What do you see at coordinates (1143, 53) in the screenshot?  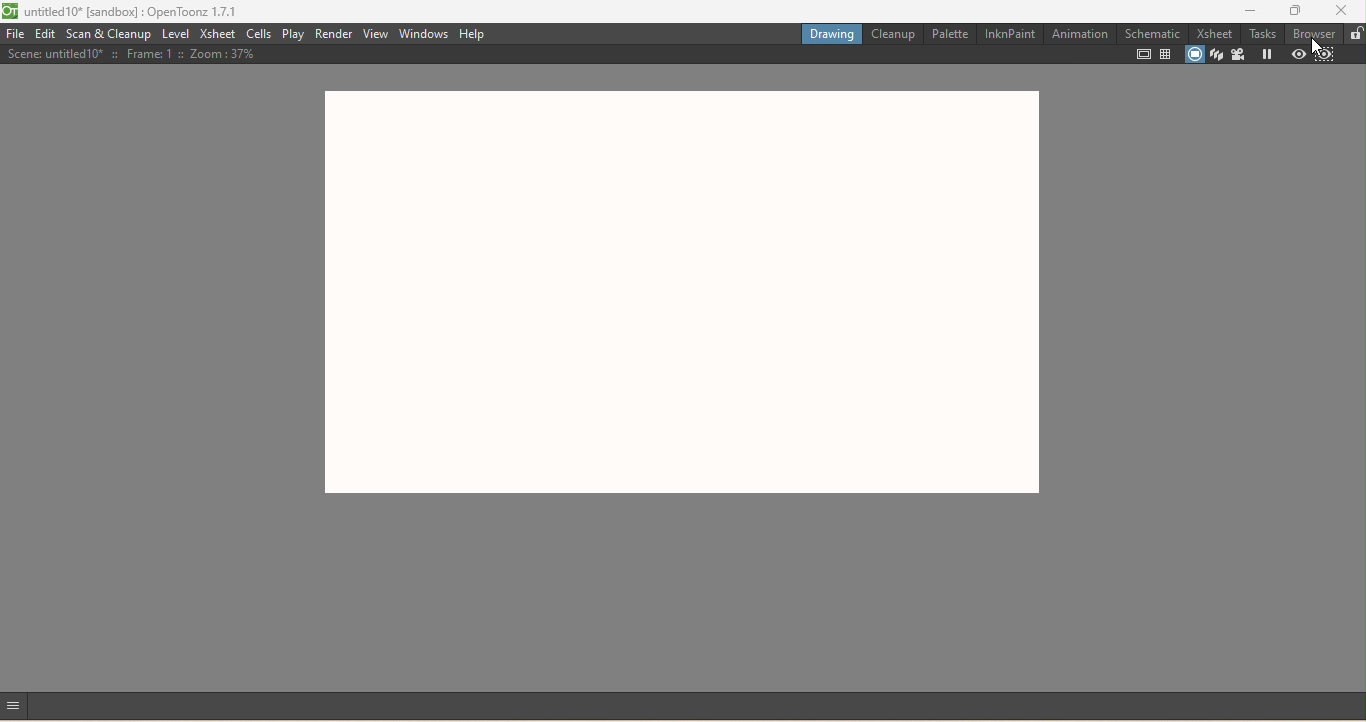 I see `Safe area` at bounding box center [1143, 53].